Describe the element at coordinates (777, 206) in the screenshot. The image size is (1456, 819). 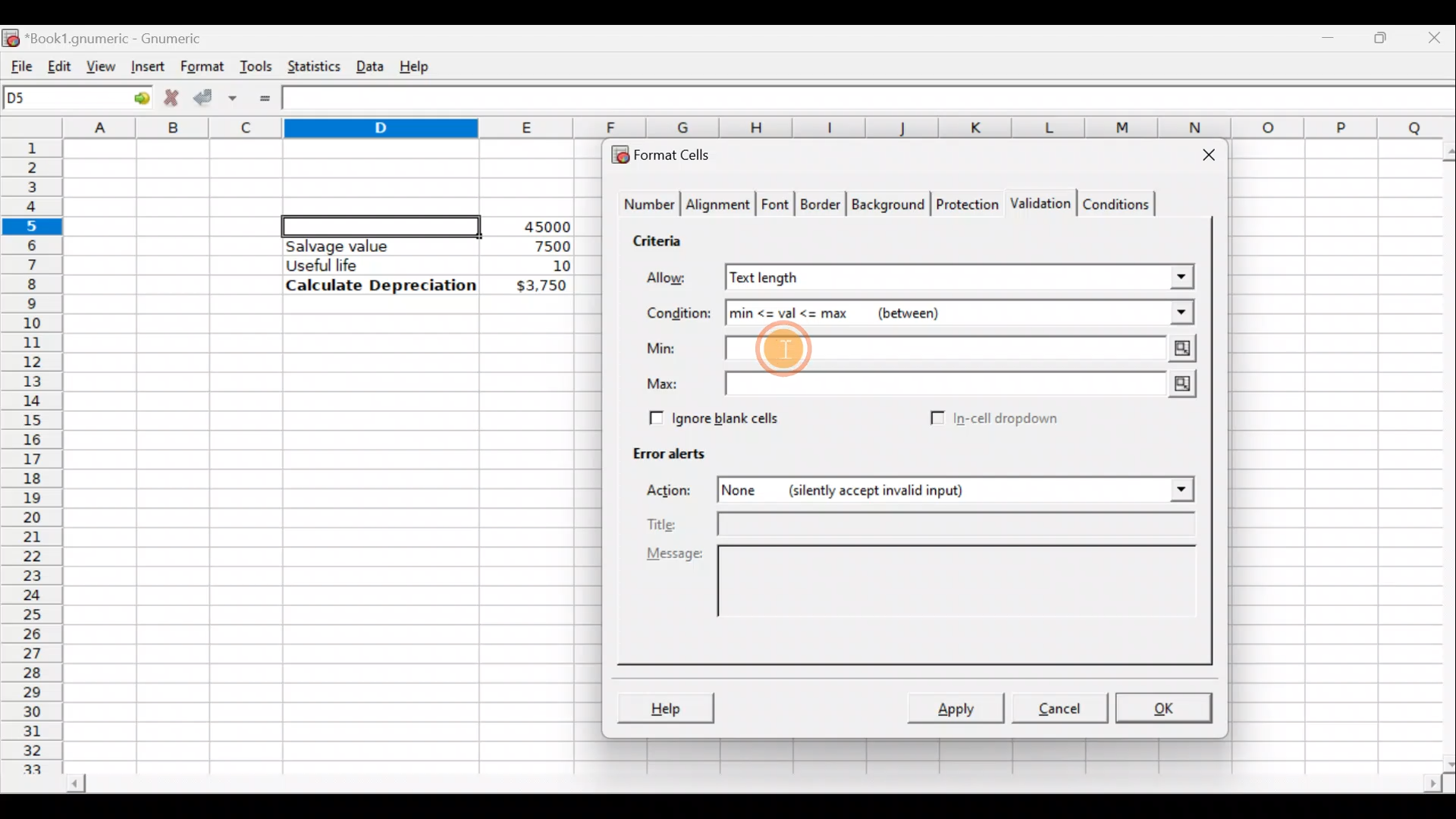
I see `Font` at that location.